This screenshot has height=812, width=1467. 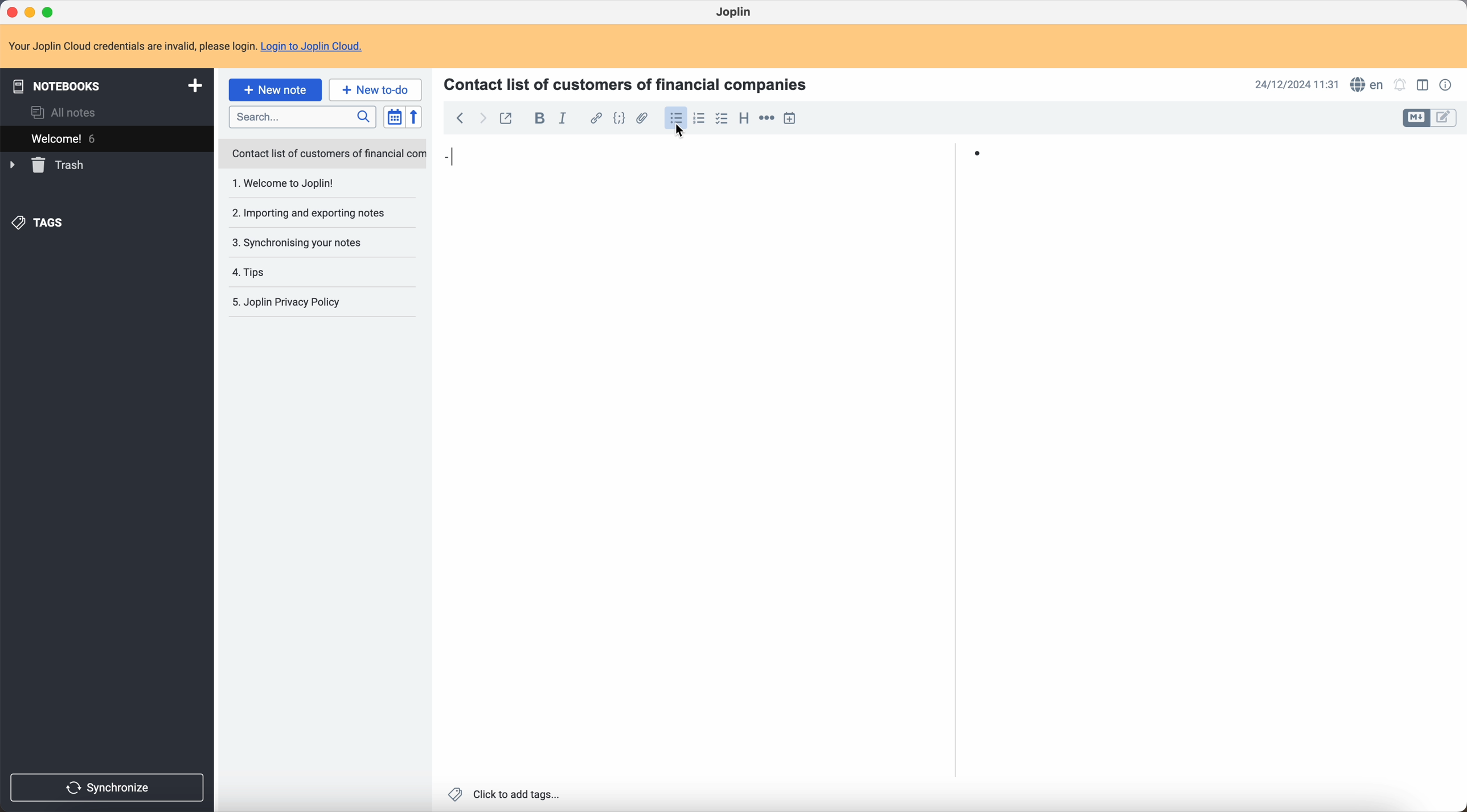 What do you see at coordinates (563, 120) in the screenshot?
I see `italic` at bounding box center [563, 120].